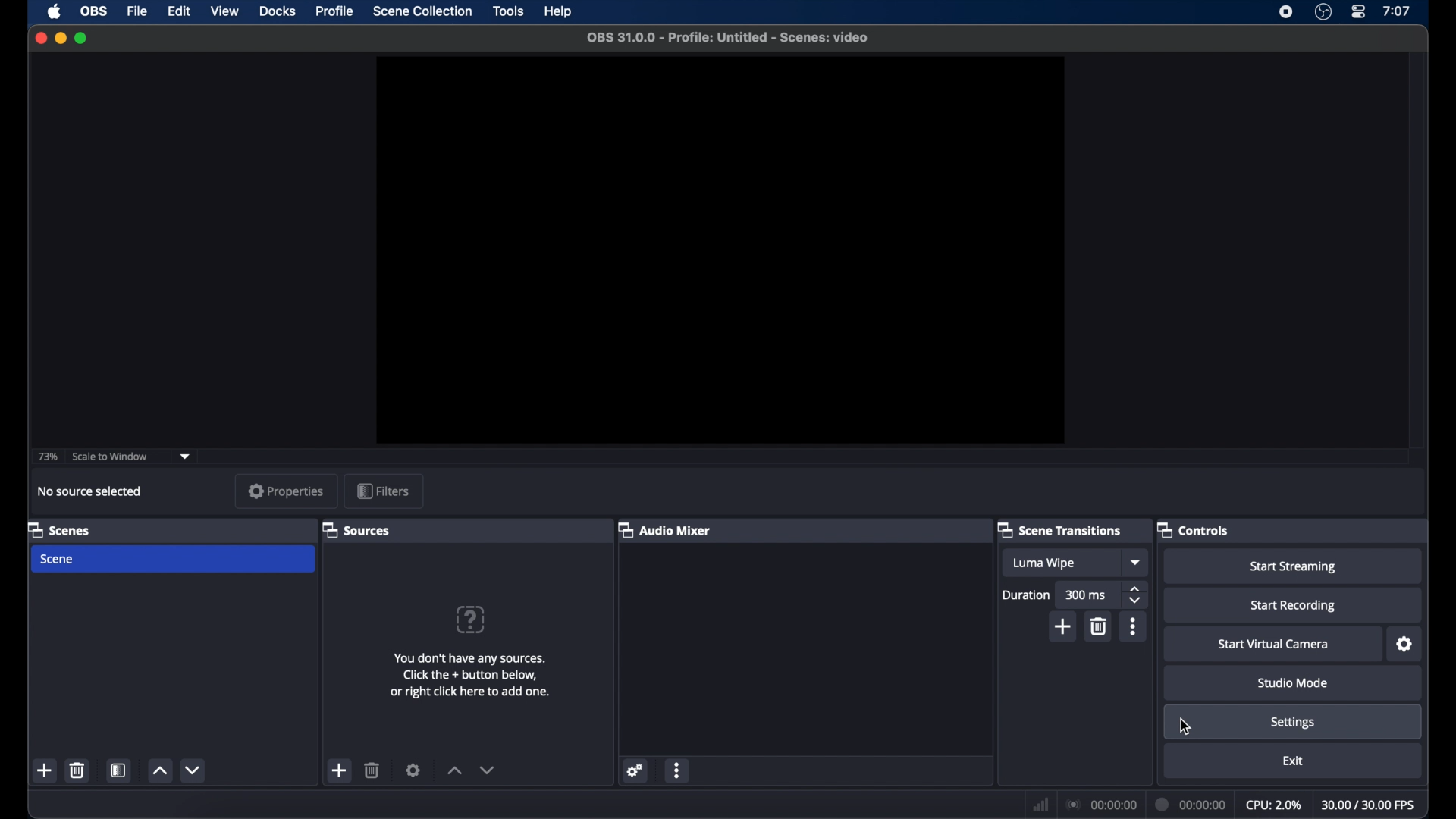  I want to click on scene collection, so click(422, 11).